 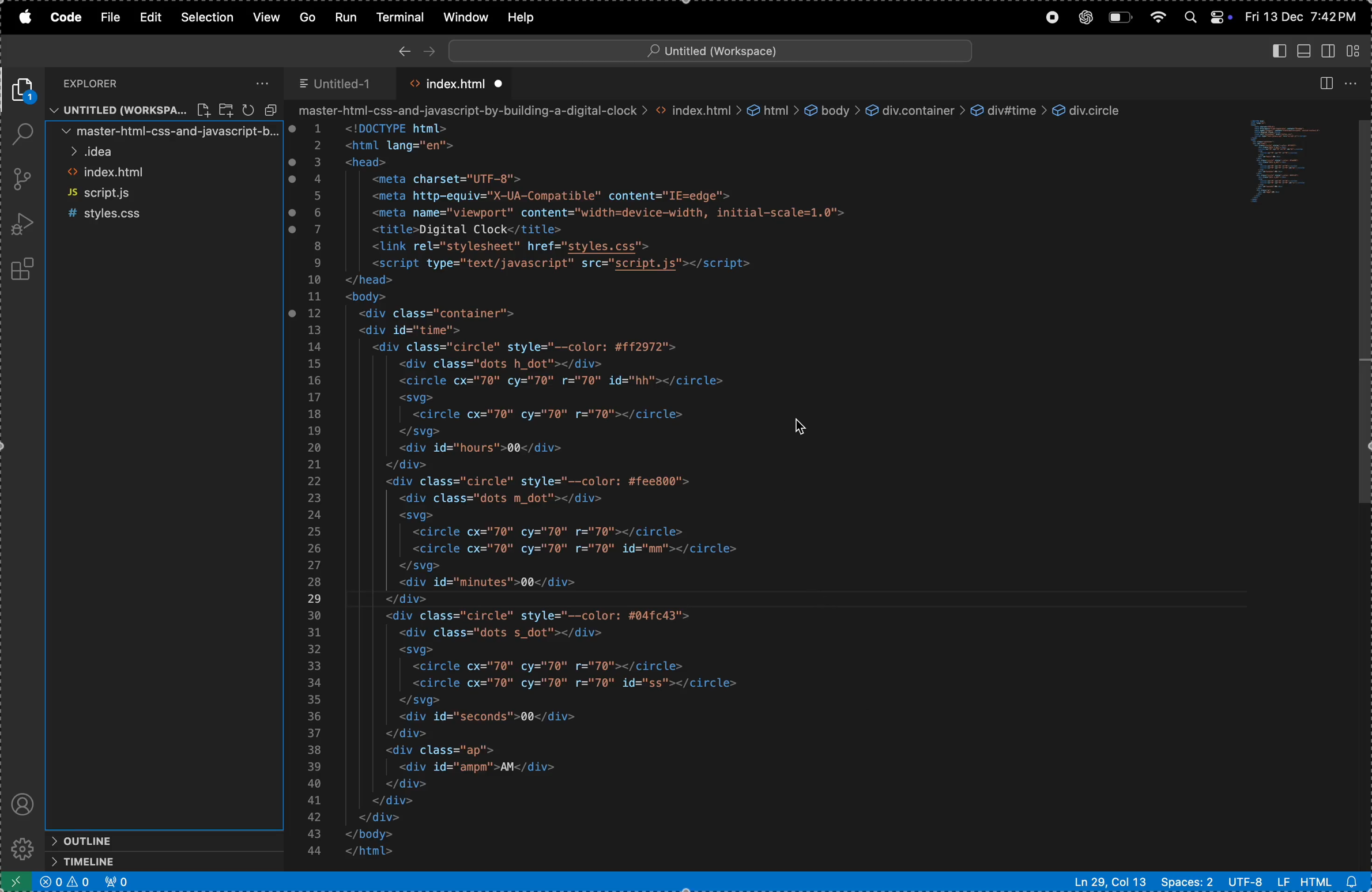 I want to click on html alert, so click(x=1334, y=882).